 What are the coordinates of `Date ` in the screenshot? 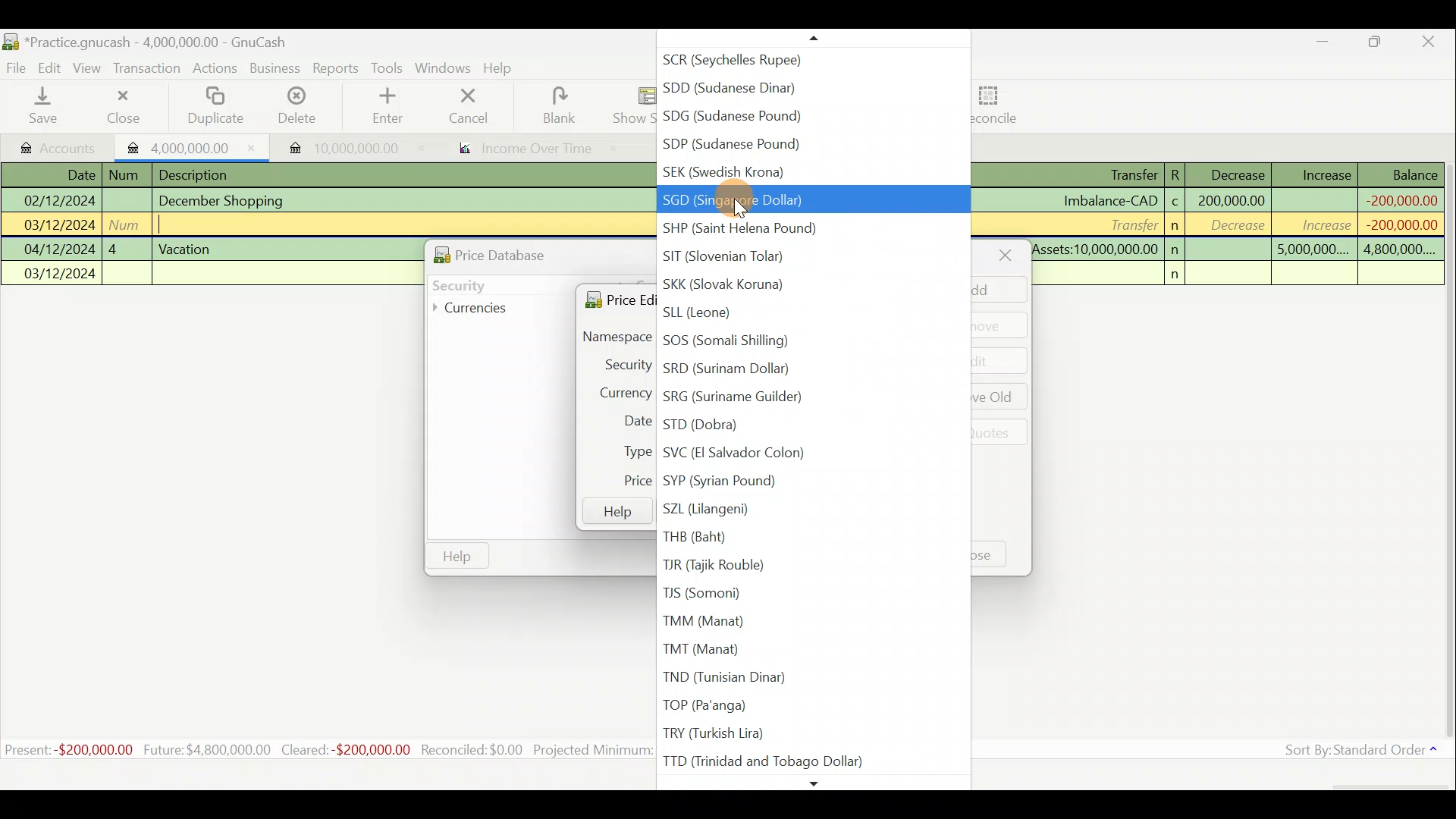 It's located at (71, 174).